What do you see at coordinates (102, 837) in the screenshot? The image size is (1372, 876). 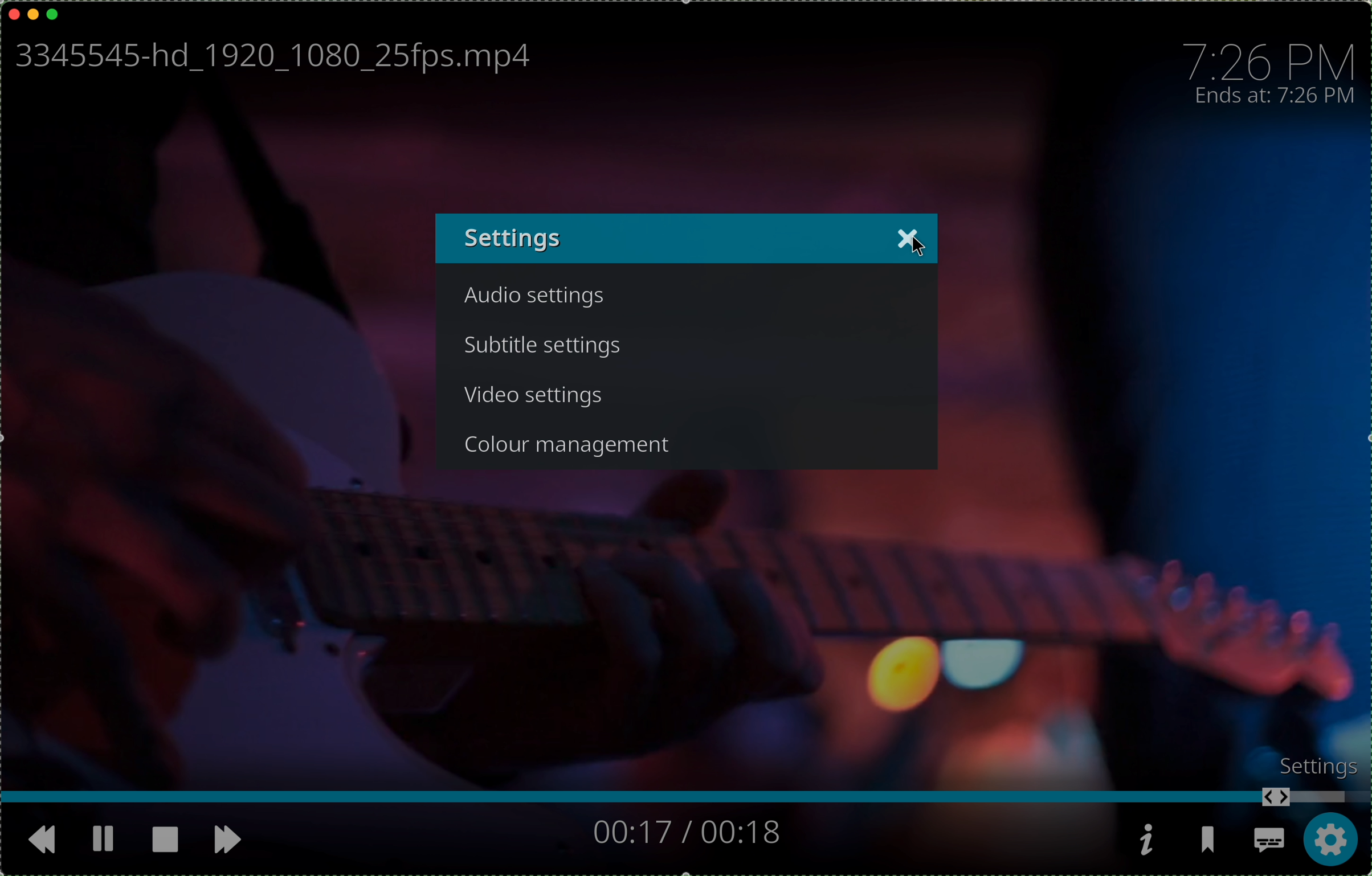 I see `pause` at bounding box center [102, 837].